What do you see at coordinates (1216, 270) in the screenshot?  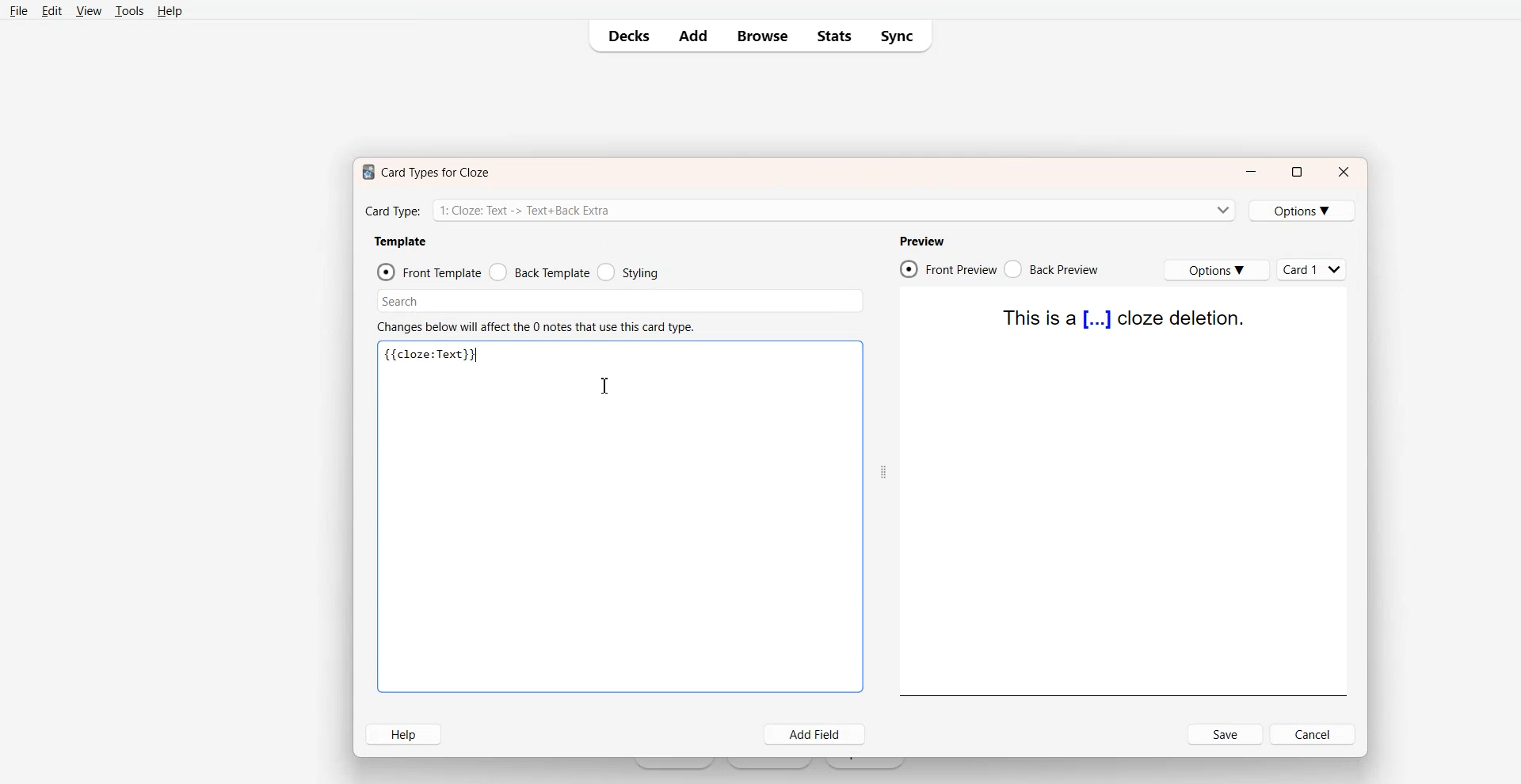 I see `Options` at bounding box center [1216, 270].